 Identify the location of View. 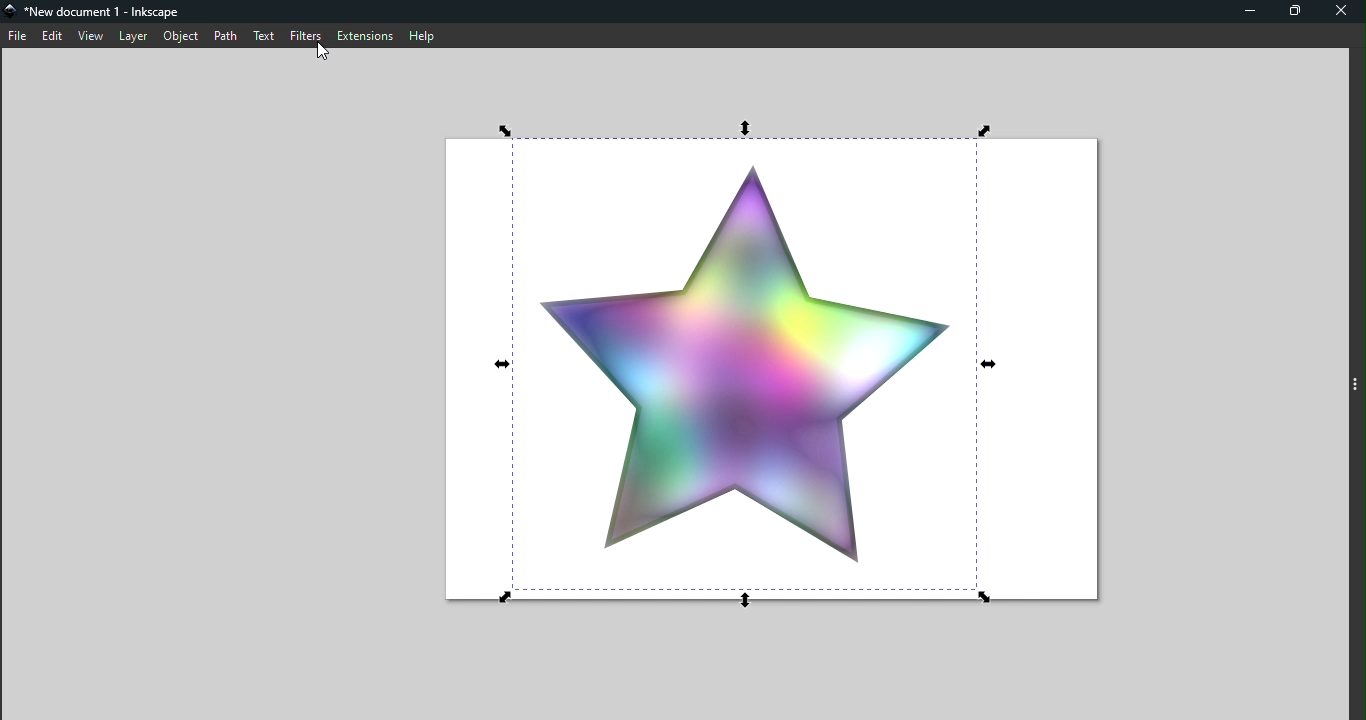
(91, 37).